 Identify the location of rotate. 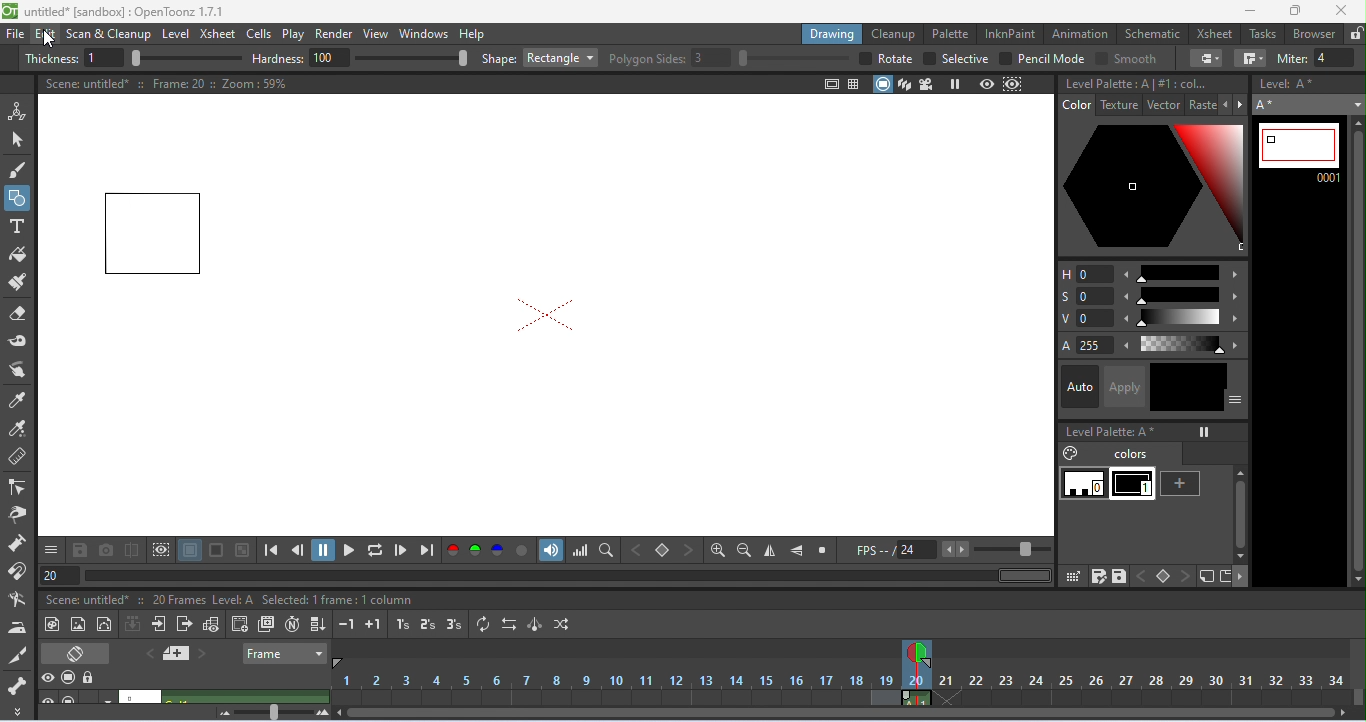
(884, 59).